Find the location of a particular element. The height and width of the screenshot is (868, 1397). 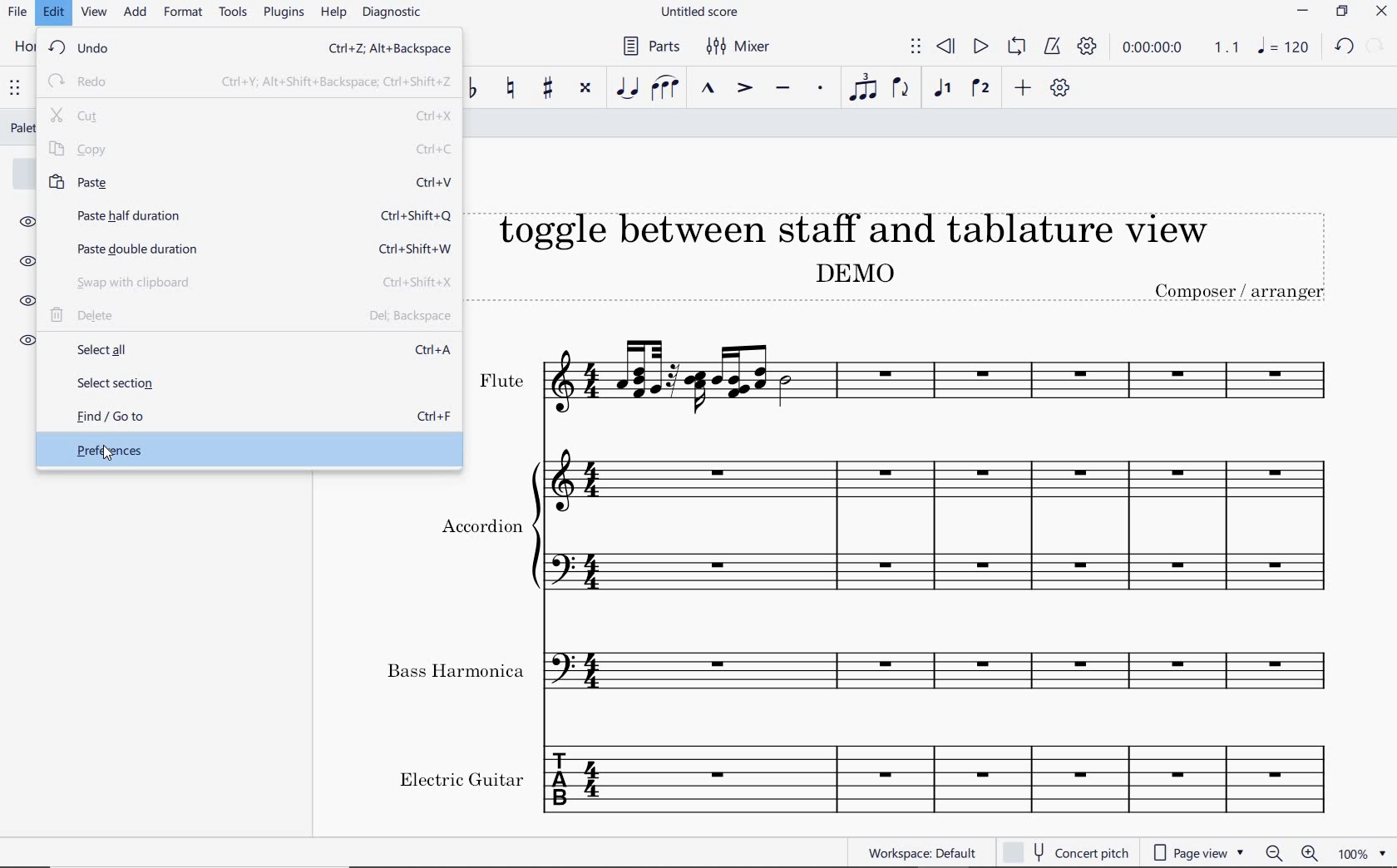

redo is located at coordinates (248, 81).